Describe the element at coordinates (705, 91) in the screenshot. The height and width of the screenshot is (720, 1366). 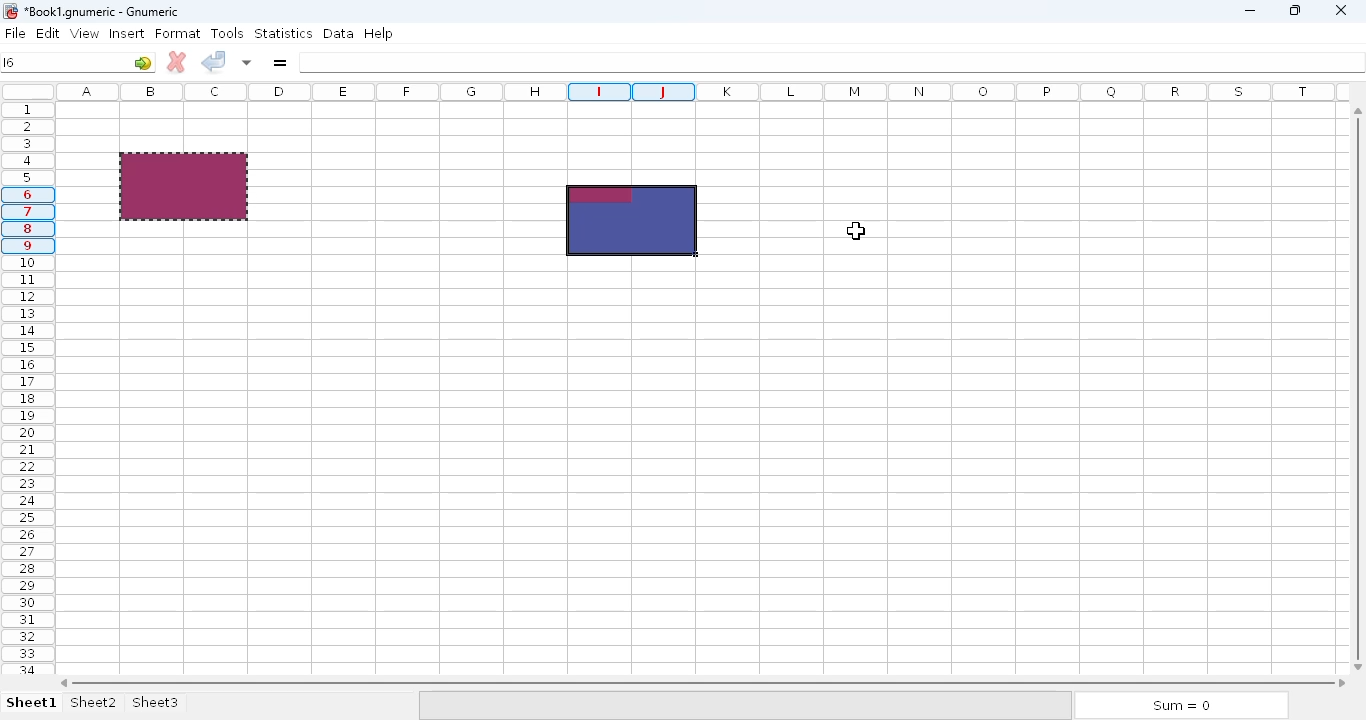
I see `columns` at that location.